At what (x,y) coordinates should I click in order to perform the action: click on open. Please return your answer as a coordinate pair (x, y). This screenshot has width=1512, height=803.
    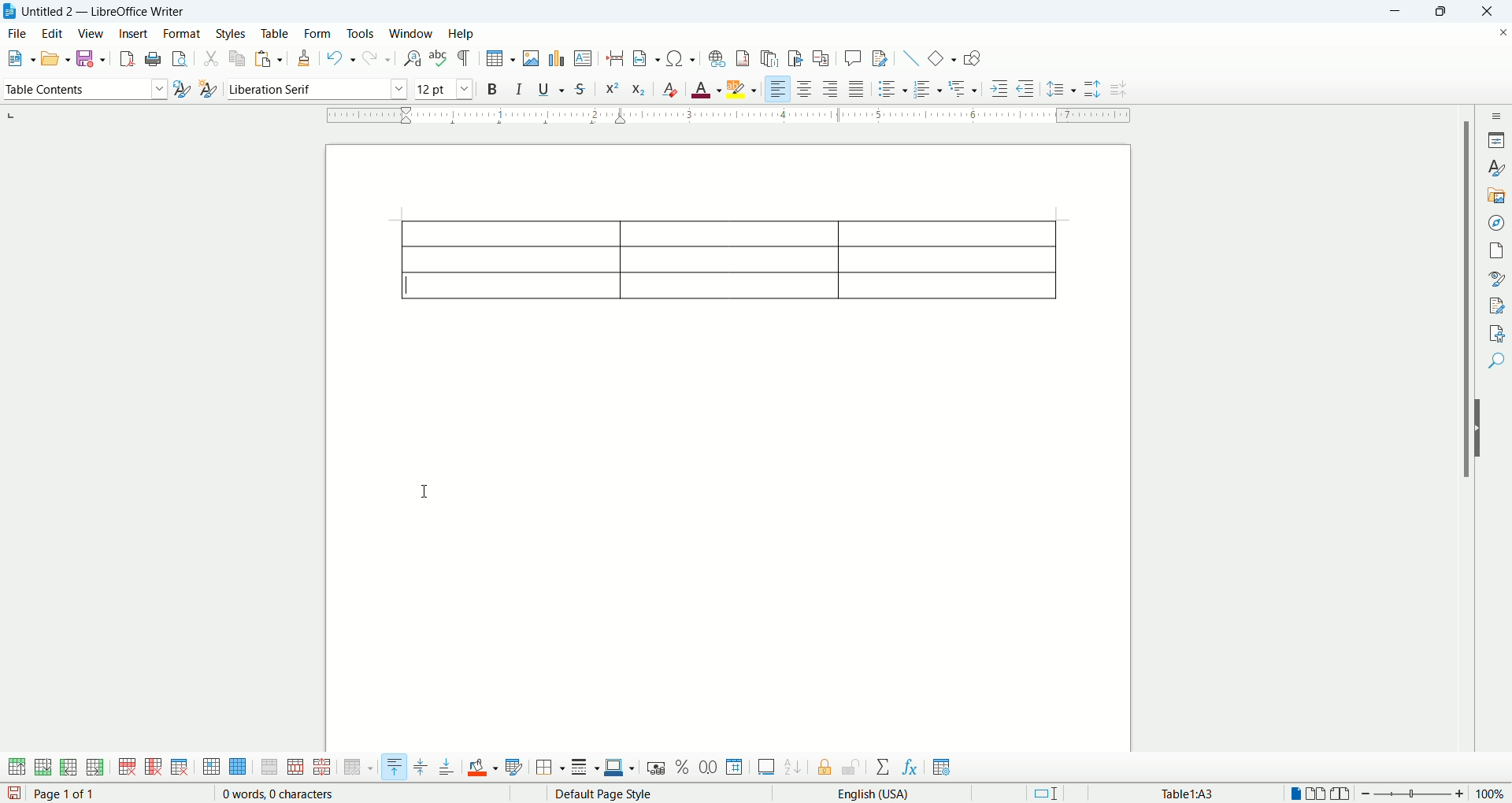
    Looking at the image, I should click on (56, 60).